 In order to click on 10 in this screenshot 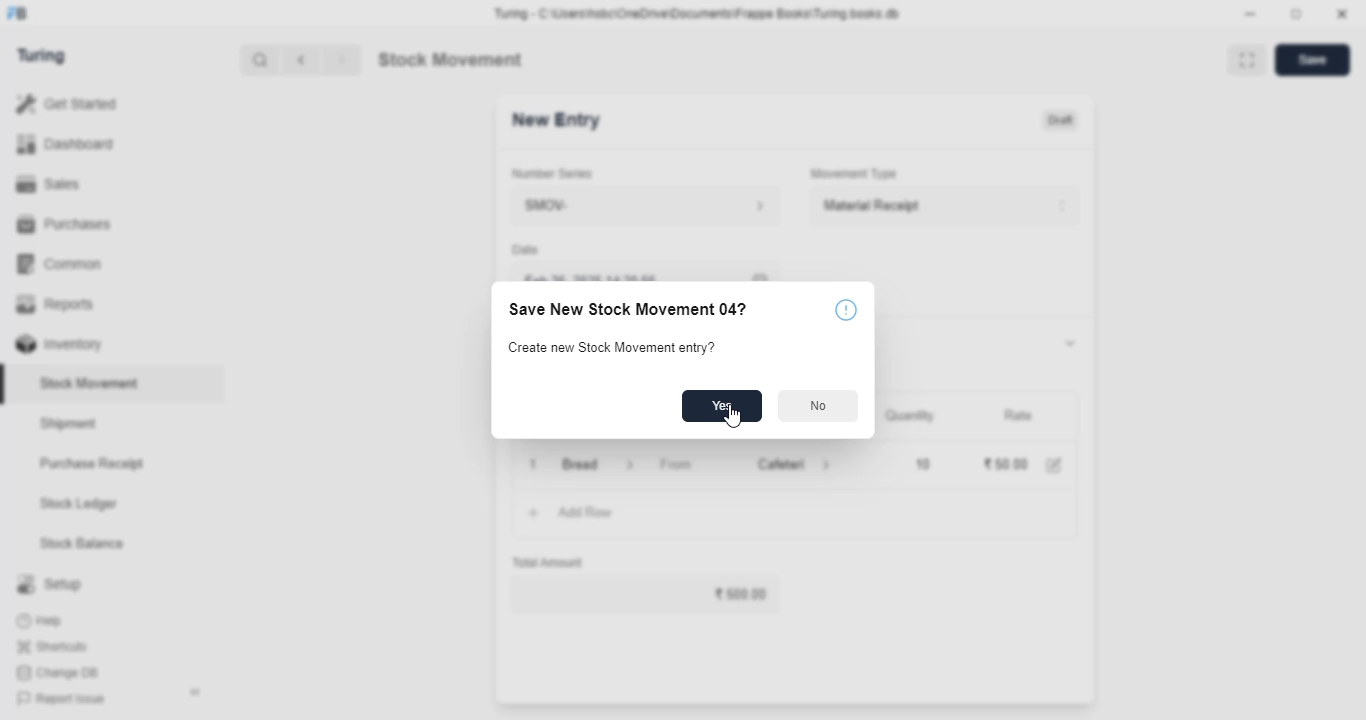, I will do `click(923, 465)`.